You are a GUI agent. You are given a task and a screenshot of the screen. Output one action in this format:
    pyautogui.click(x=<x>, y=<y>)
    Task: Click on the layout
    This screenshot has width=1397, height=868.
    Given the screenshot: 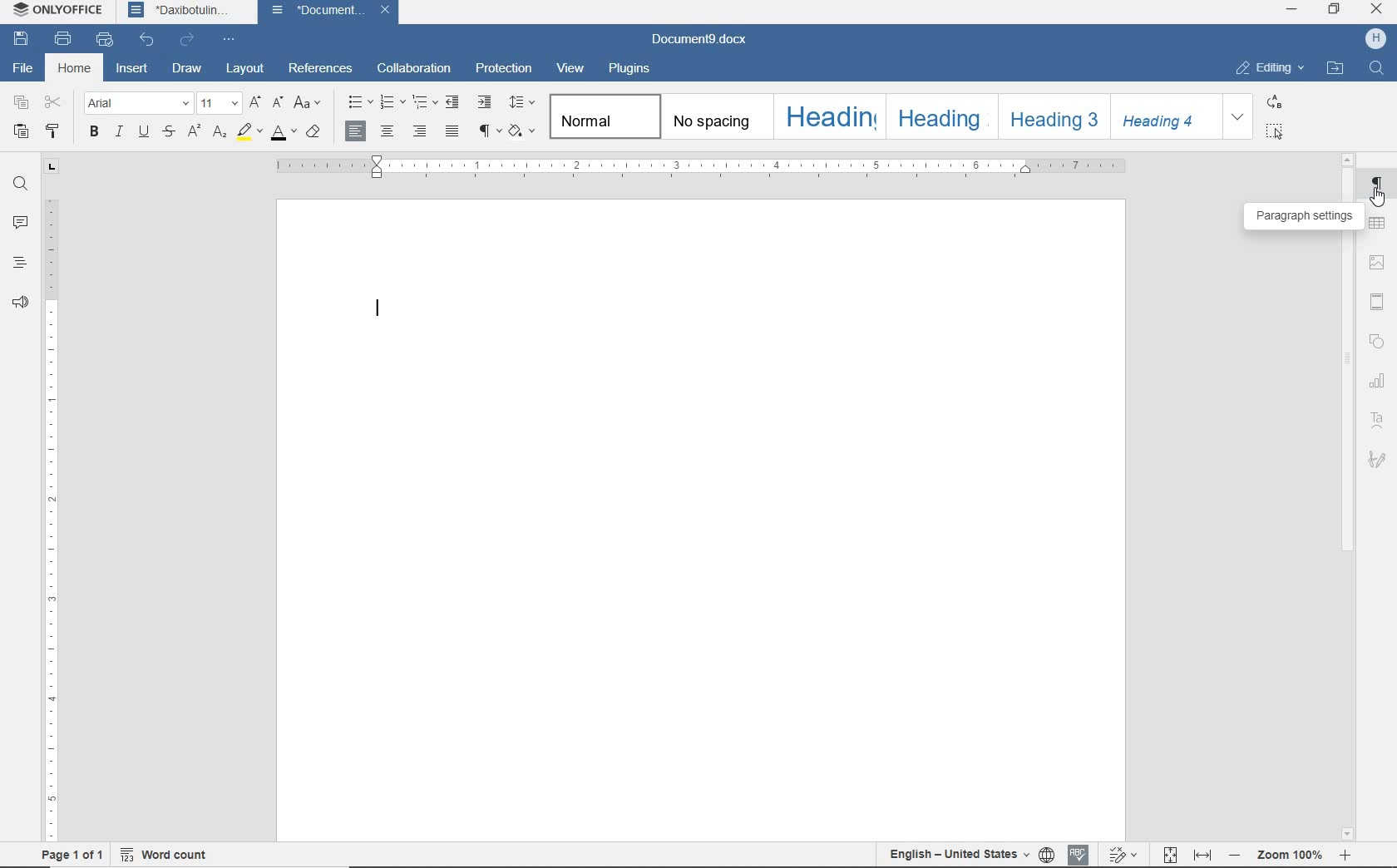 What is the action you would take?
    pyautogui.click(x=247, y=70)
    